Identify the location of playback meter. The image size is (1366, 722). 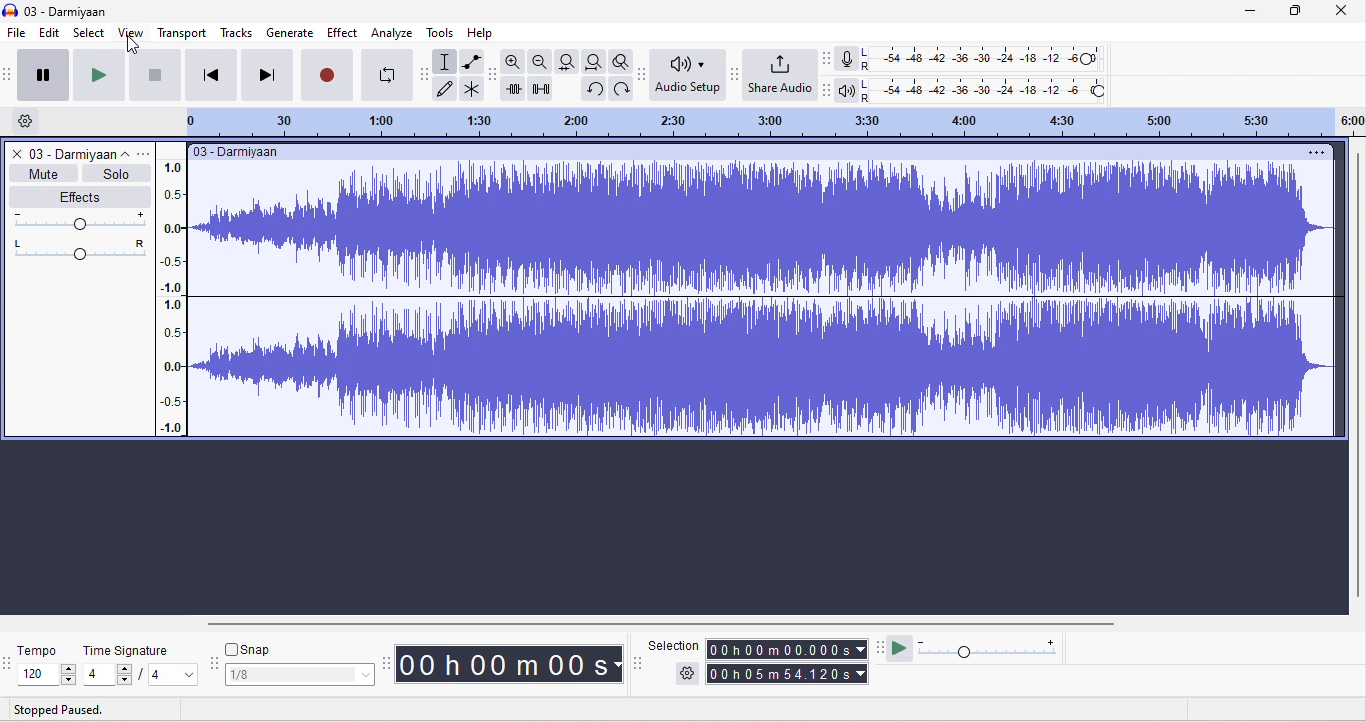
(848, 92).